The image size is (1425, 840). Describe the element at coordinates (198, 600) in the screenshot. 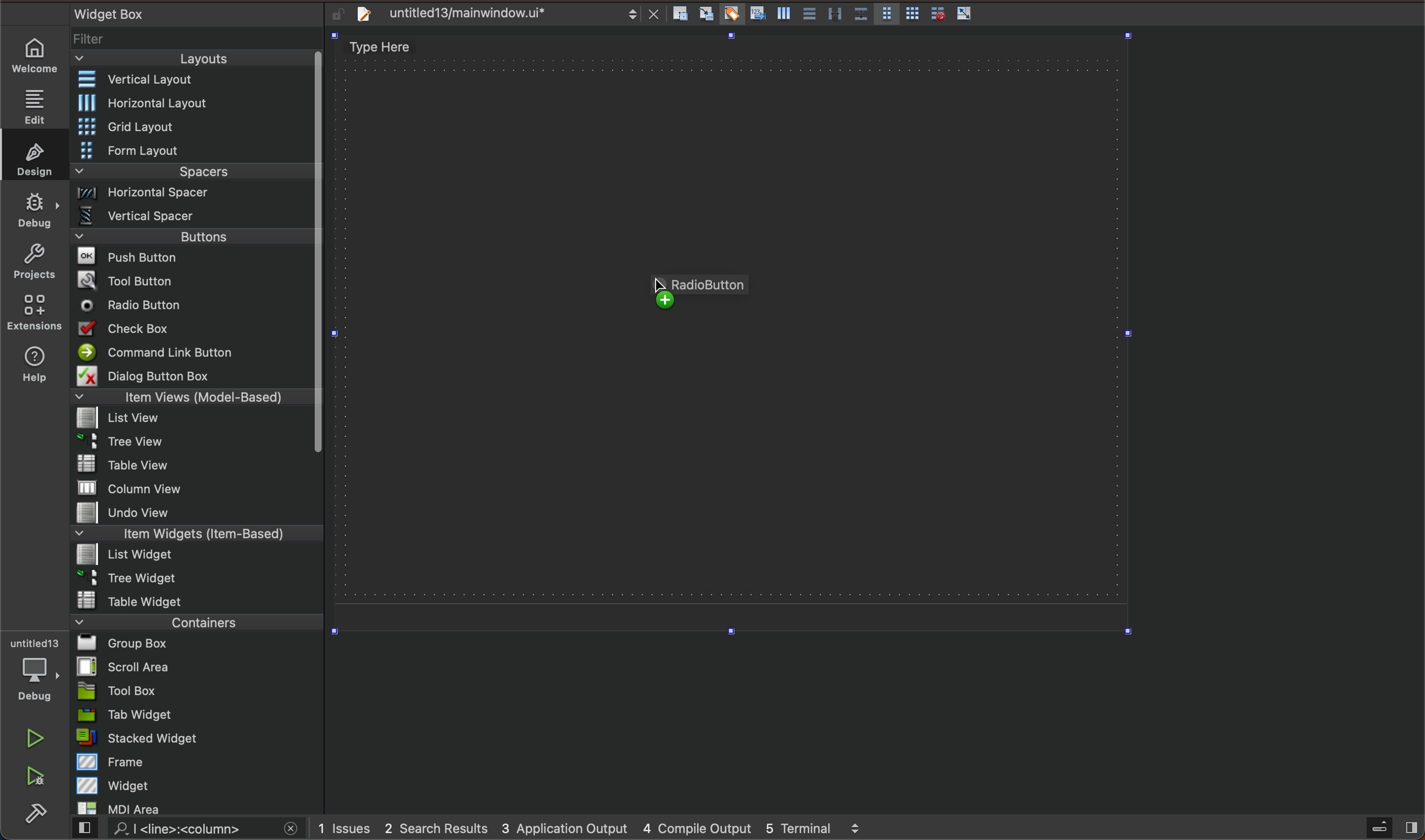

I see `table widget` at that location.